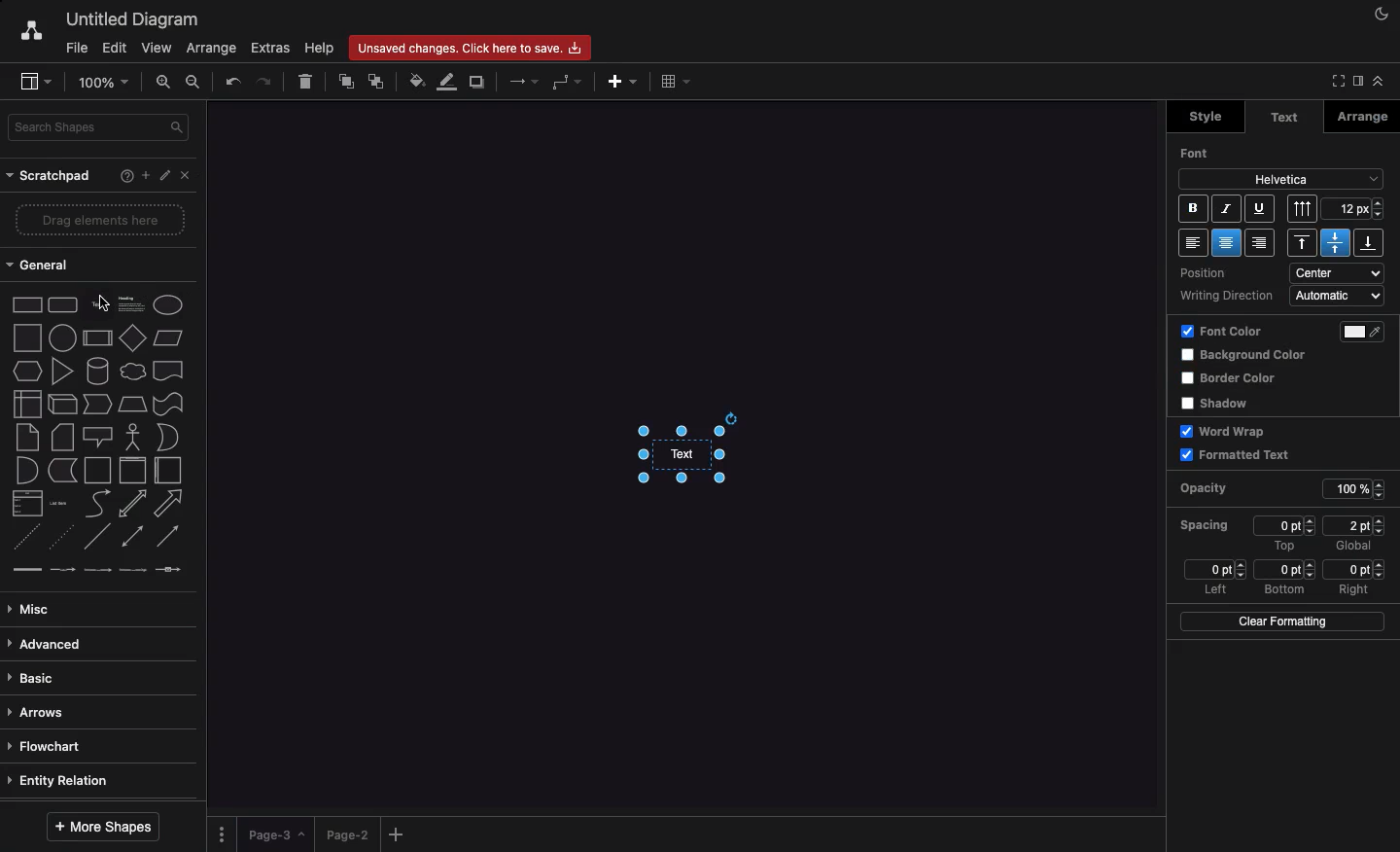  What do you see at coordinates (1355, 208) in the screenshot?
I see `12 pt - Size` at bounding box center [1355, 208].